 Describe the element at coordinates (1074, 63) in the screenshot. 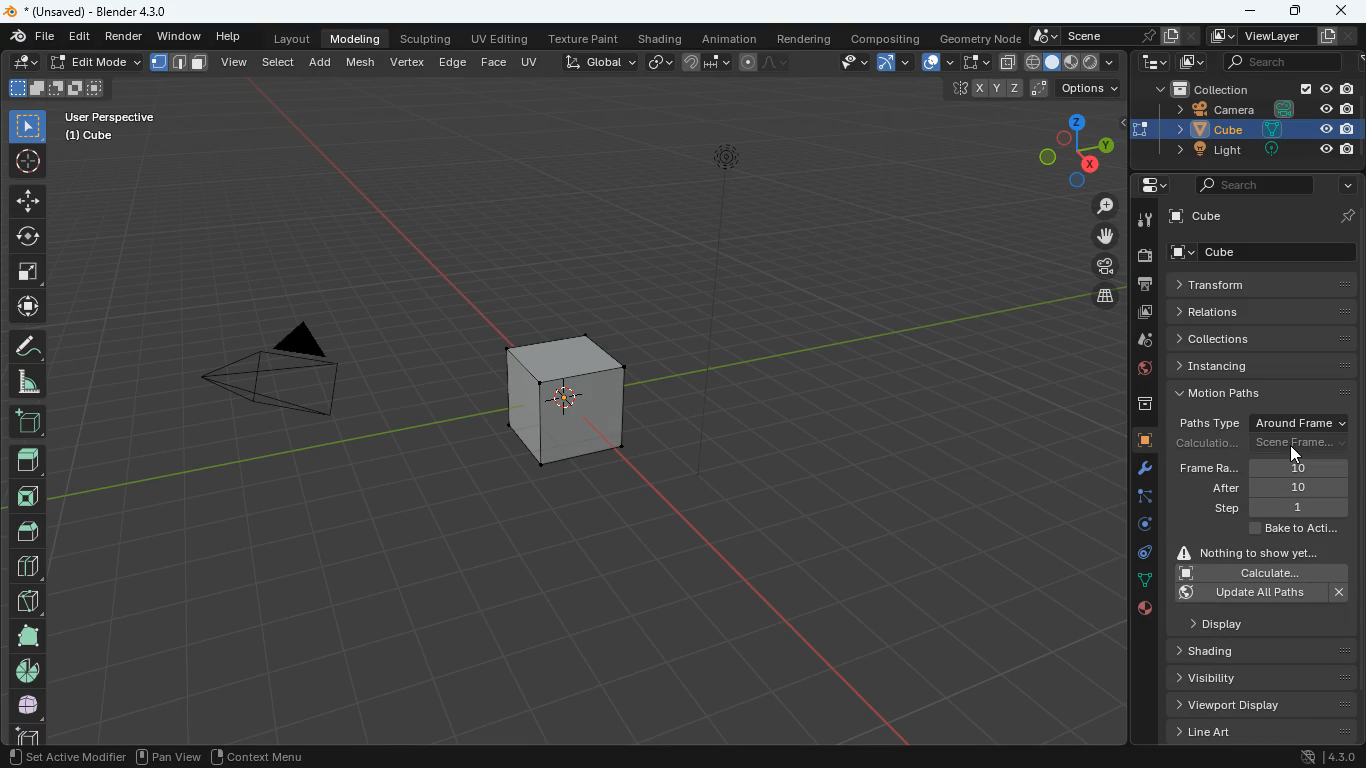

I see `layout` at that location.